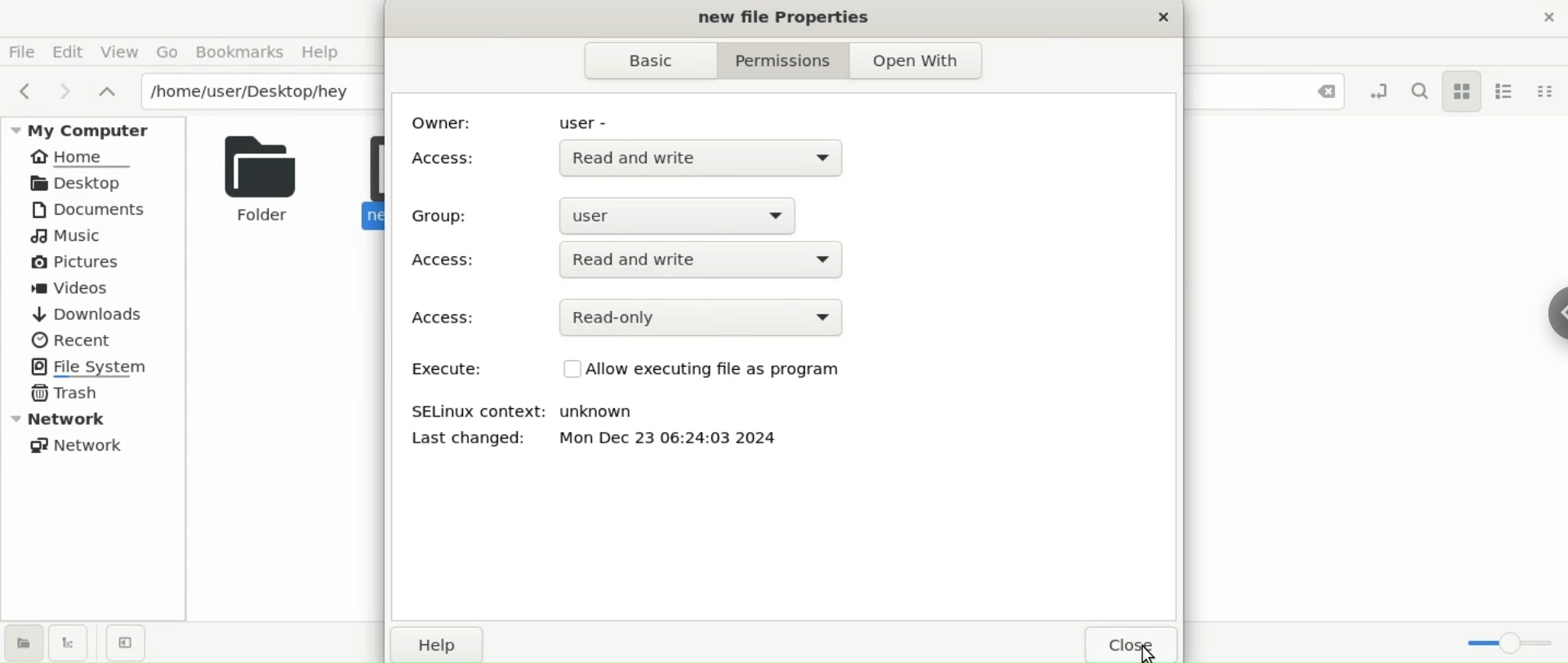  Describe the element at coordinates (563, 412) in the screenshot. I see `SELinux context: unknown` at that location.